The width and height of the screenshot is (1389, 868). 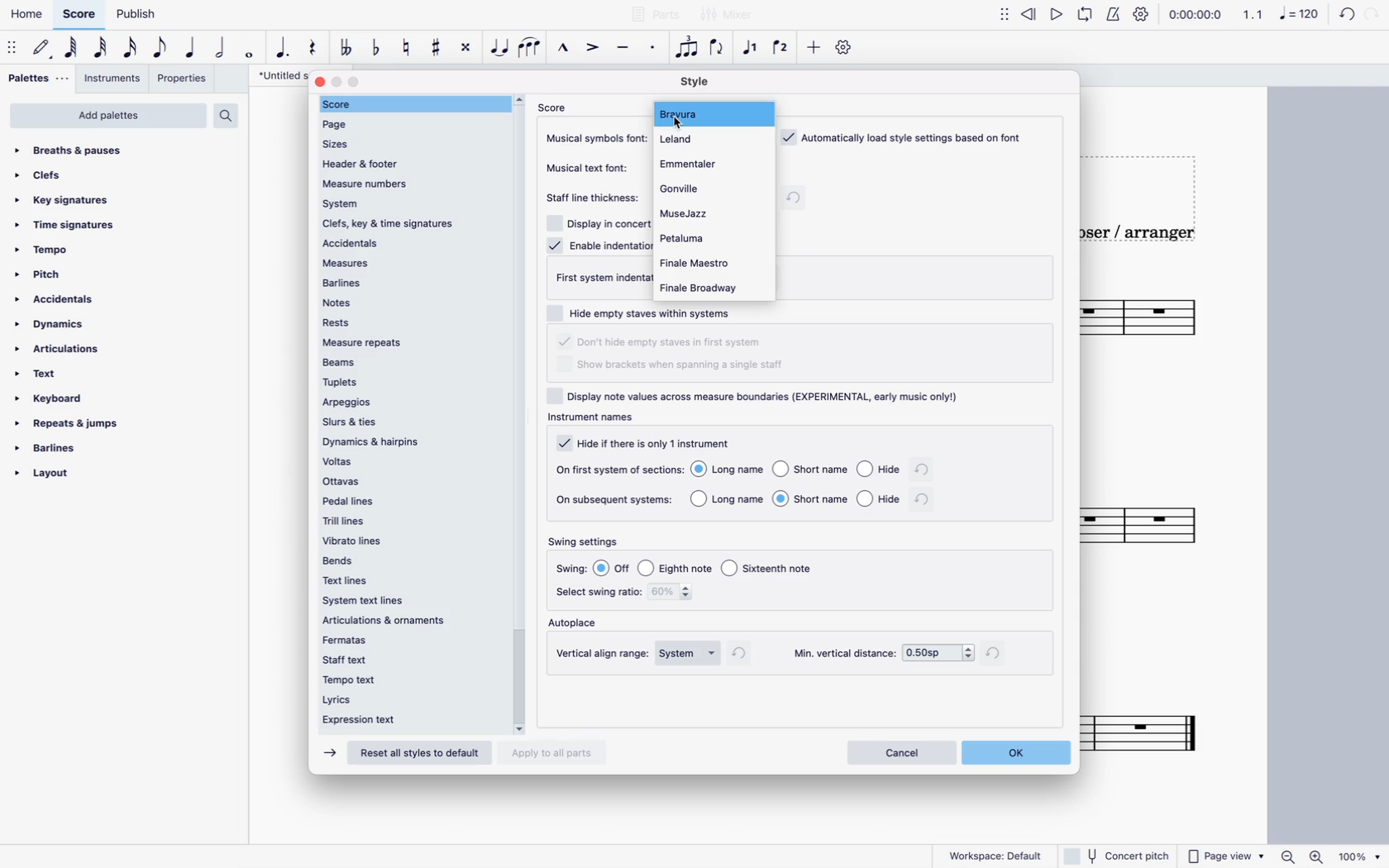 What do you see at coordinates (618, 469) in the screenshot?
I see `on first system of sections` at bounding box center [618, 469].